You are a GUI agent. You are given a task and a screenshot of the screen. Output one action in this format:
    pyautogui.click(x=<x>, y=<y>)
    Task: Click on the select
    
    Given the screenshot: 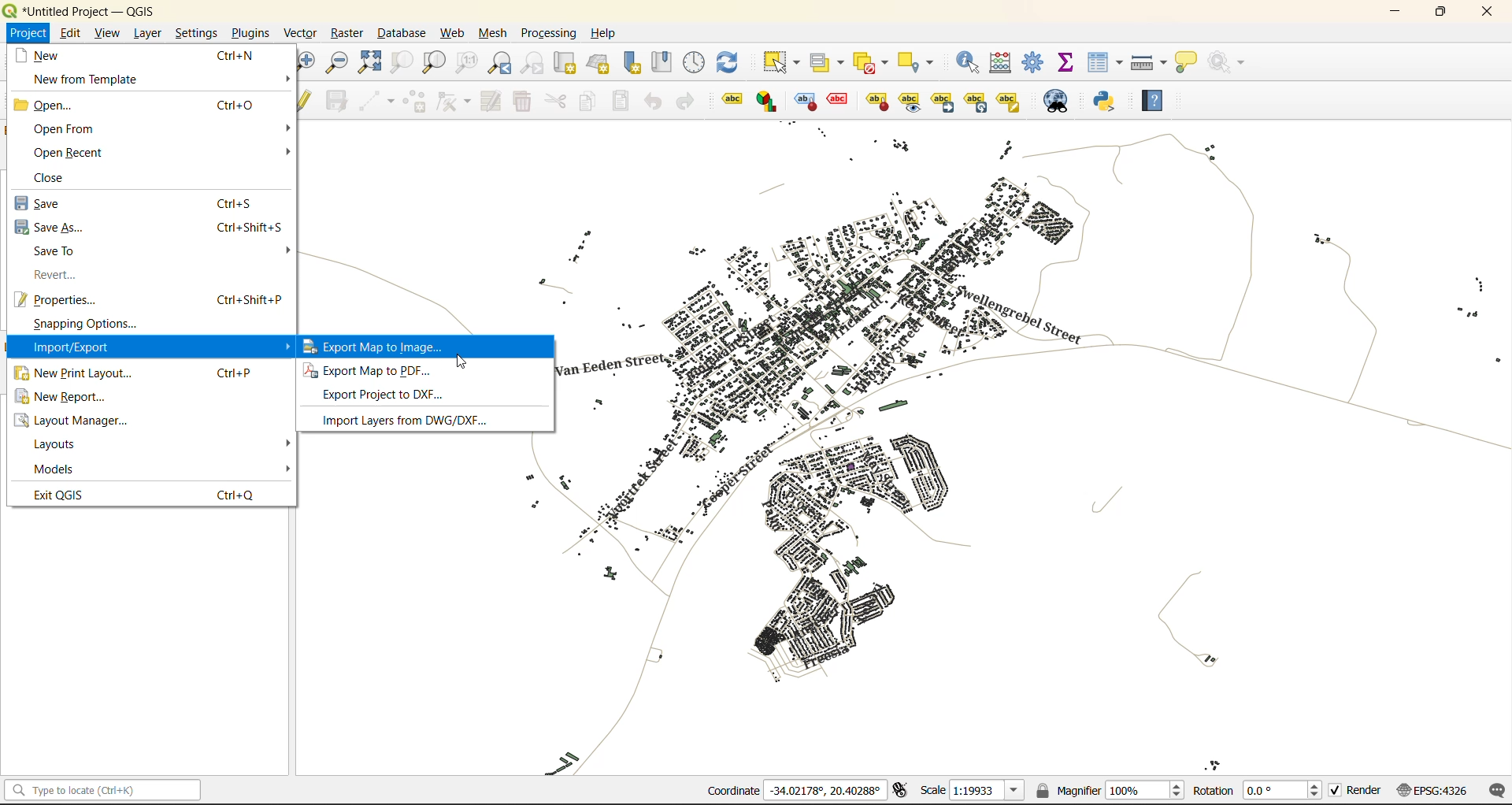 What is the action you would take?
    pyautogui.click(x=784, y=62)
    